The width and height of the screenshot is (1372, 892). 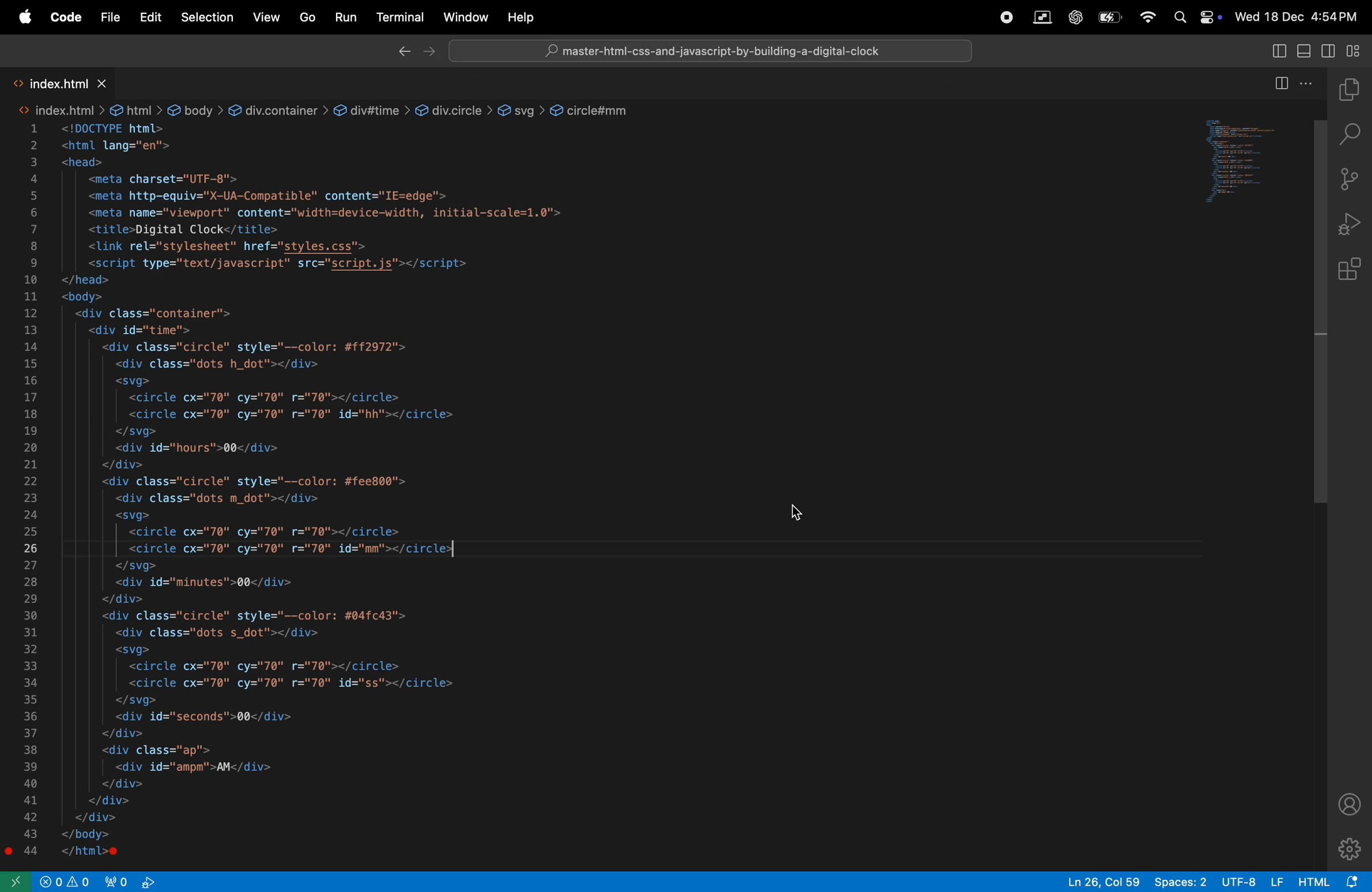 I want to click on code window, so click(x=1235, y=161).